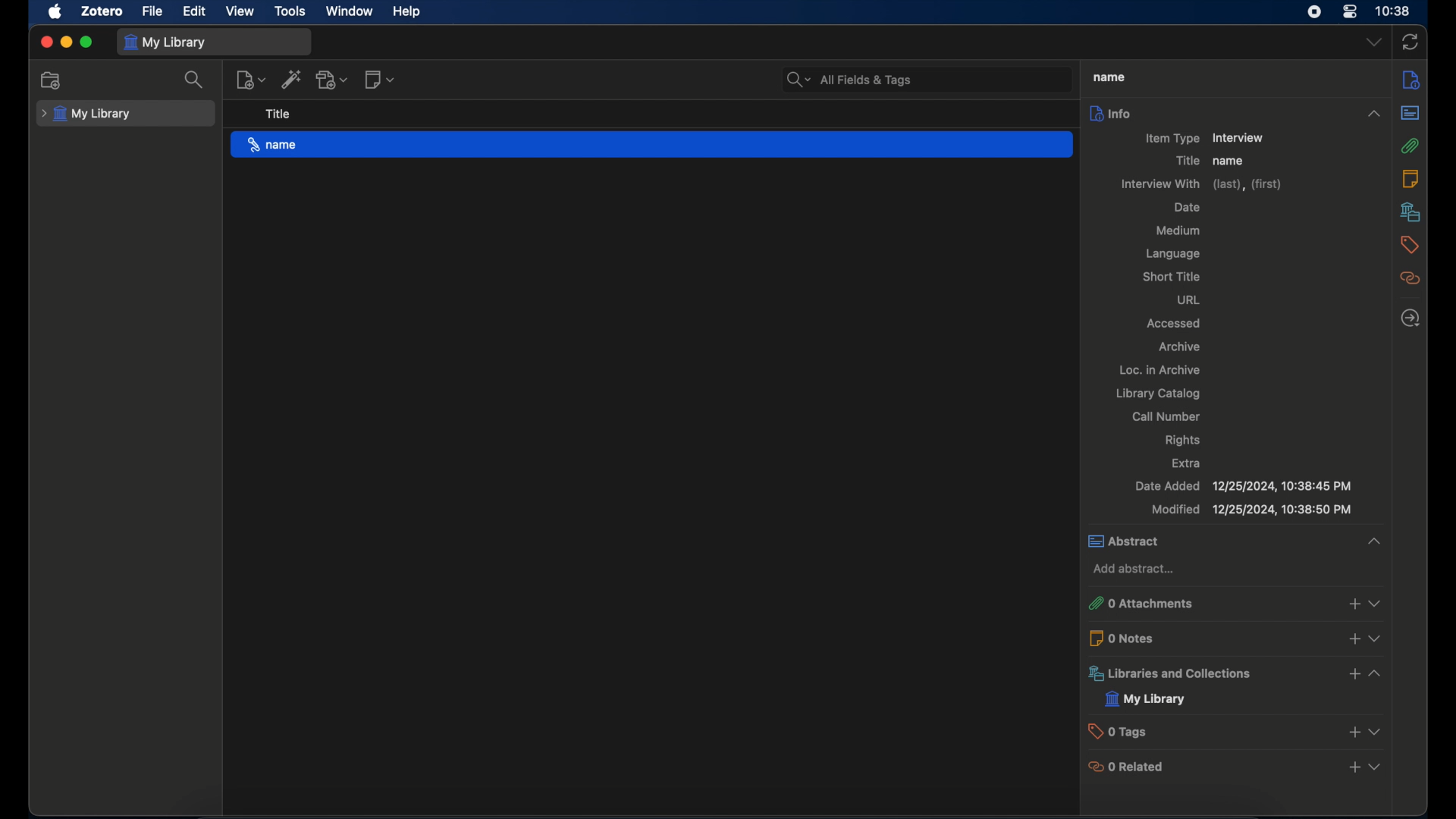 The image size is (1456, 819). I want to click on archive, so click(1178, 347).